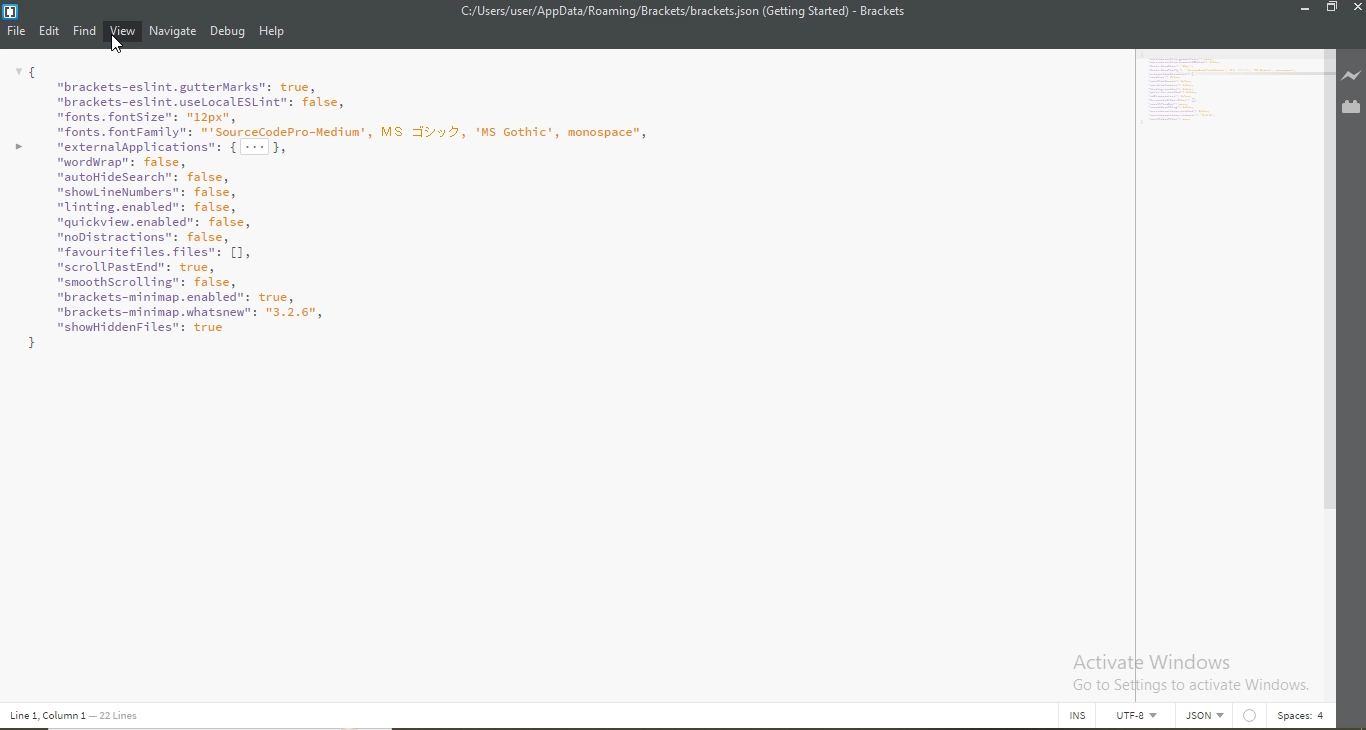 This screenshot has width=1366, height=730. I want to click on Debug, so click(229, 33).